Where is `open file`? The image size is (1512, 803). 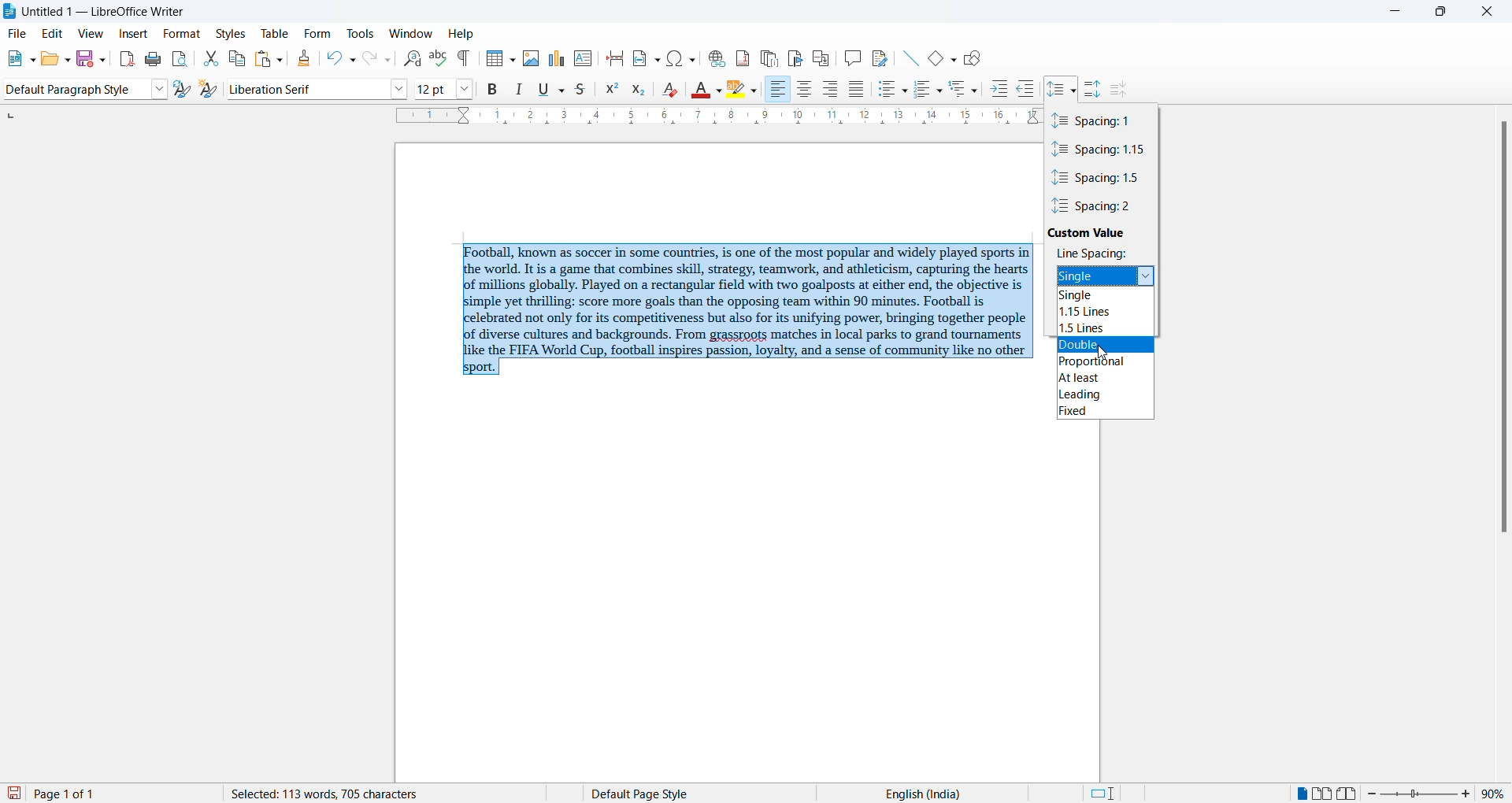 open file is located at coordinates (46, 60).